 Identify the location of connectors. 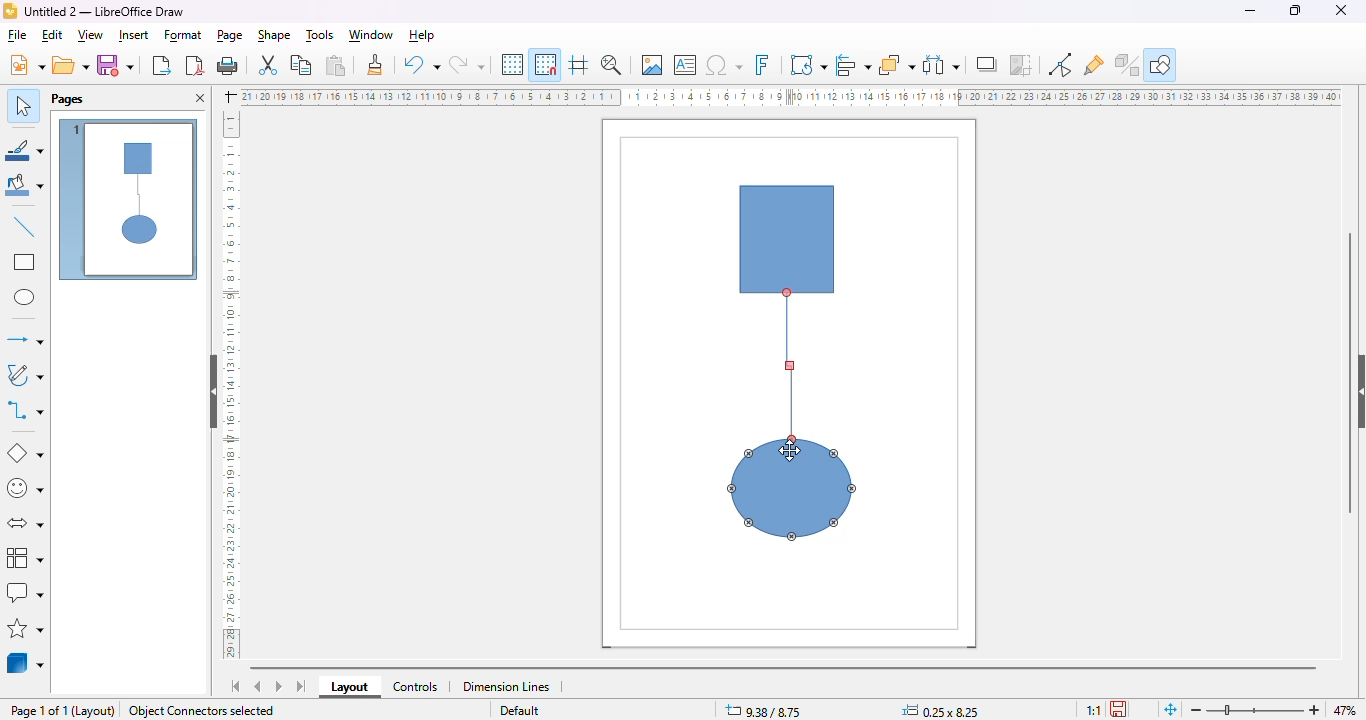
(26, 409).